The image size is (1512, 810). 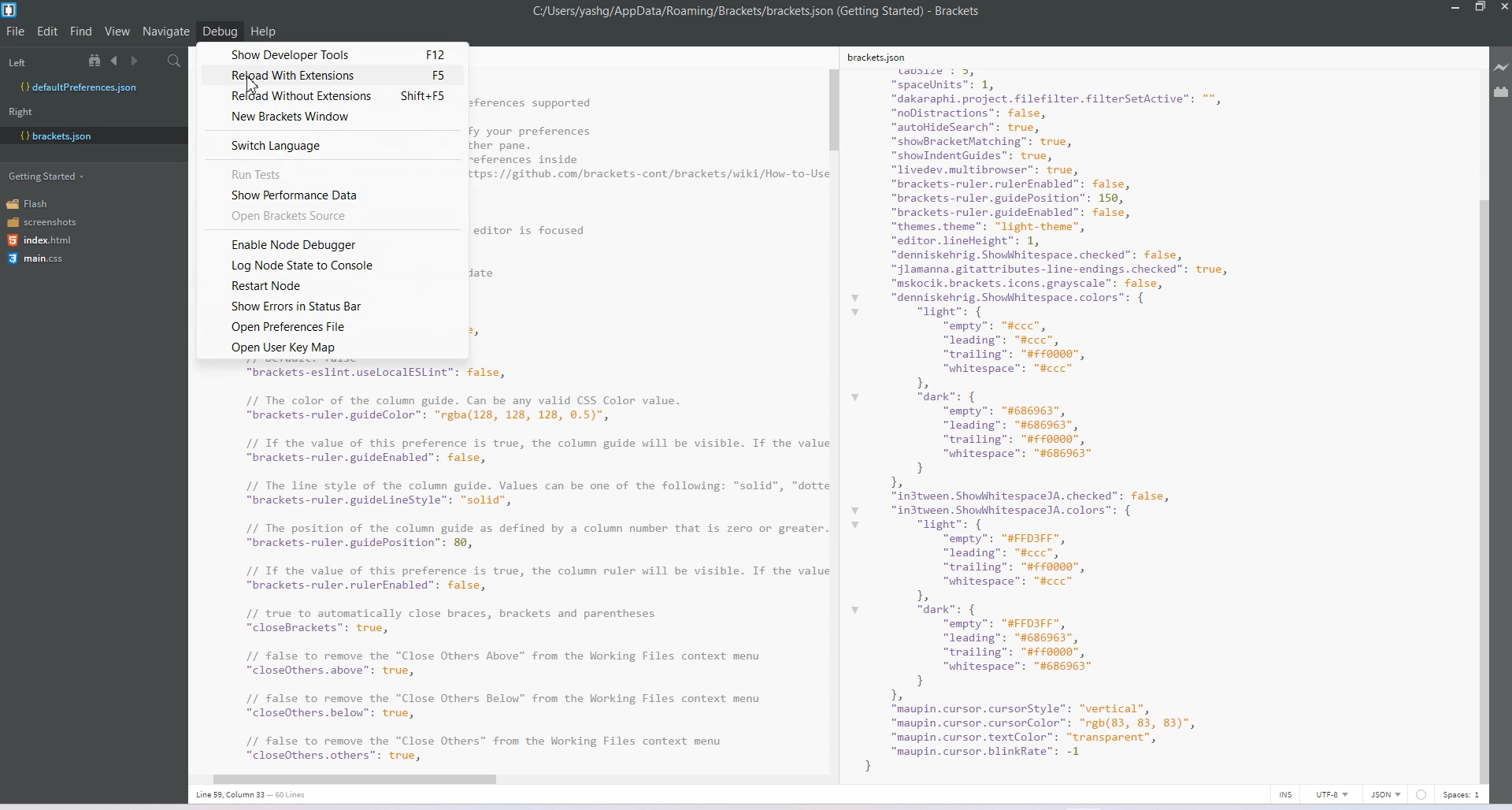 I want to click on Debug, so click(x=220, y=31).